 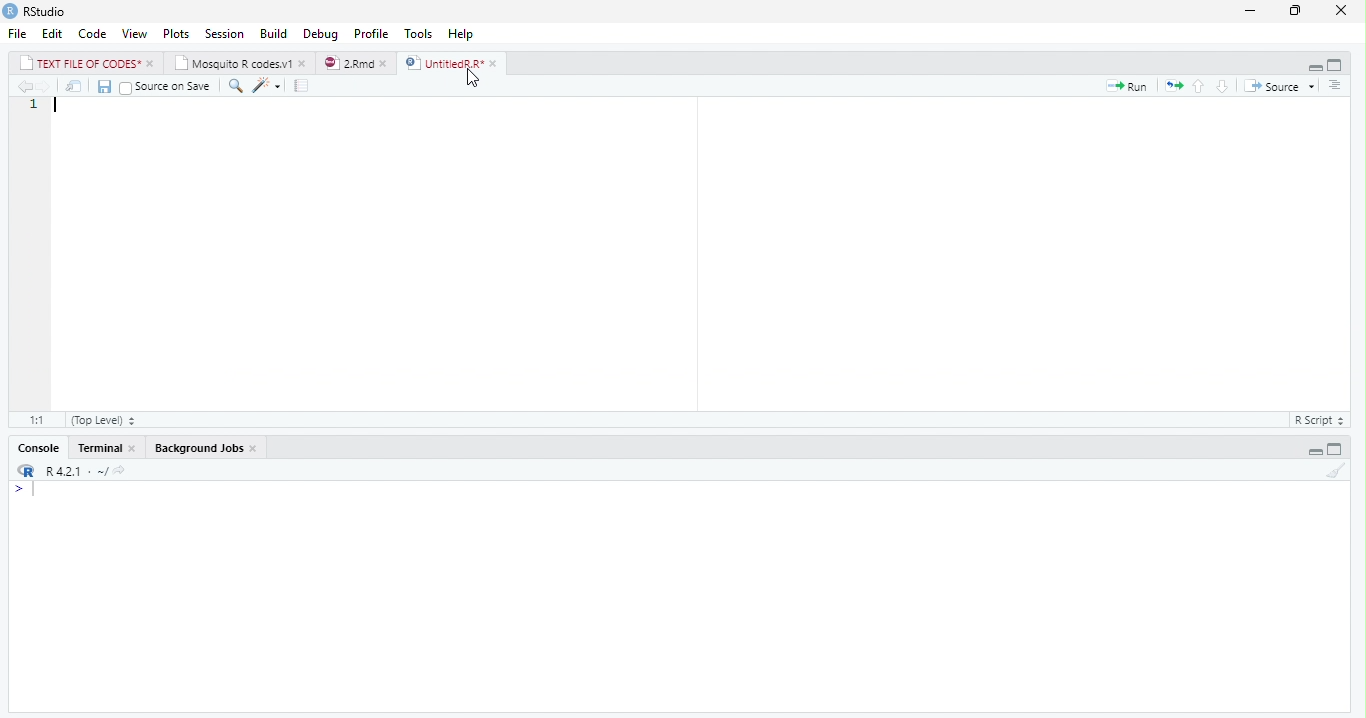 What do you see at coordinates (199, 448) in the screenshot?
I see `Background Jobs` at bounding box center [199, 448].